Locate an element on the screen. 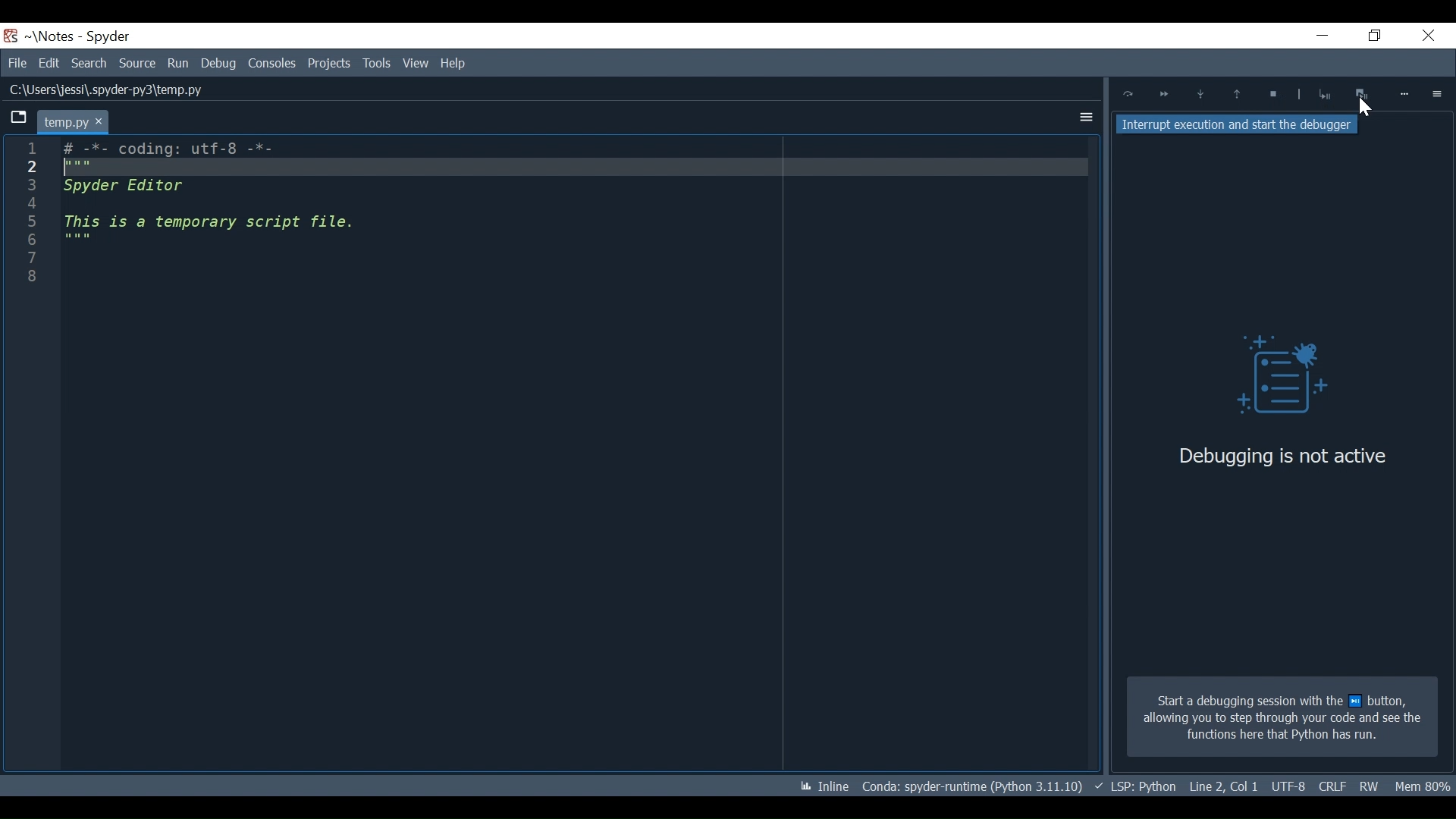 The width and height of the screenshot is (1456, 819). Close is located at coordinates (1425, 37).